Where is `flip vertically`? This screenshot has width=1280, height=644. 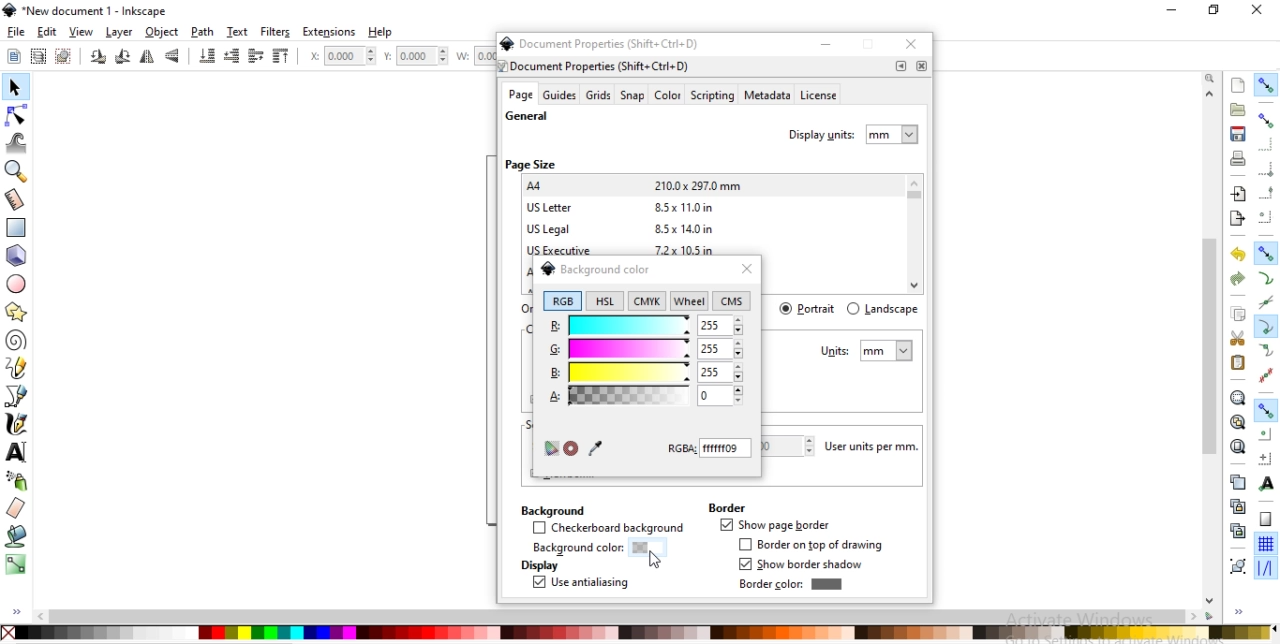
flip vertically is located at coordinates (173, 57).